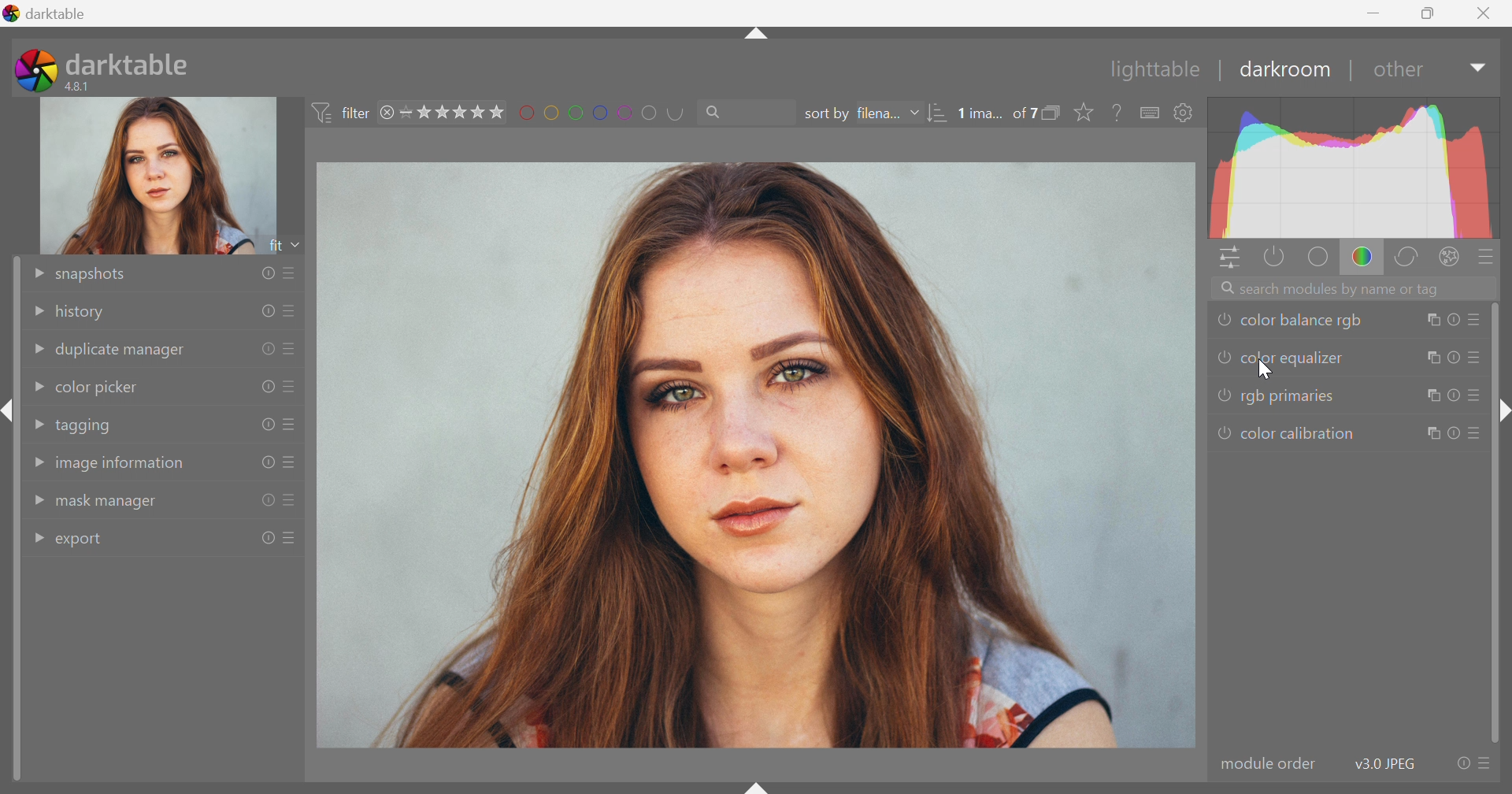 The width and height of the screenshot is (1512, 794). I want to click on reset, so click(265, 347).